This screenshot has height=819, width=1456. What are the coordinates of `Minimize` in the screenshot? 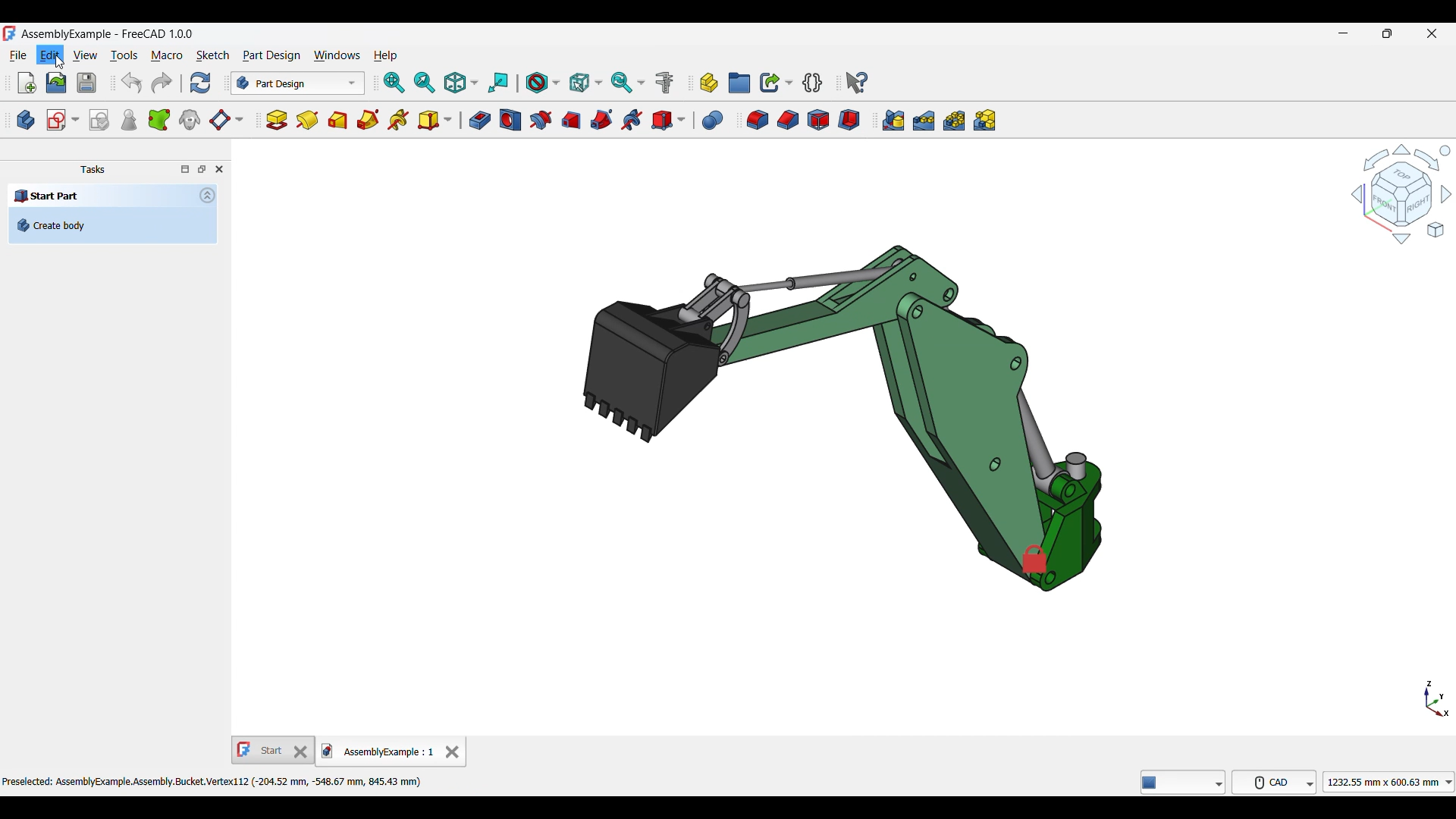 It's located at (1343, 33).